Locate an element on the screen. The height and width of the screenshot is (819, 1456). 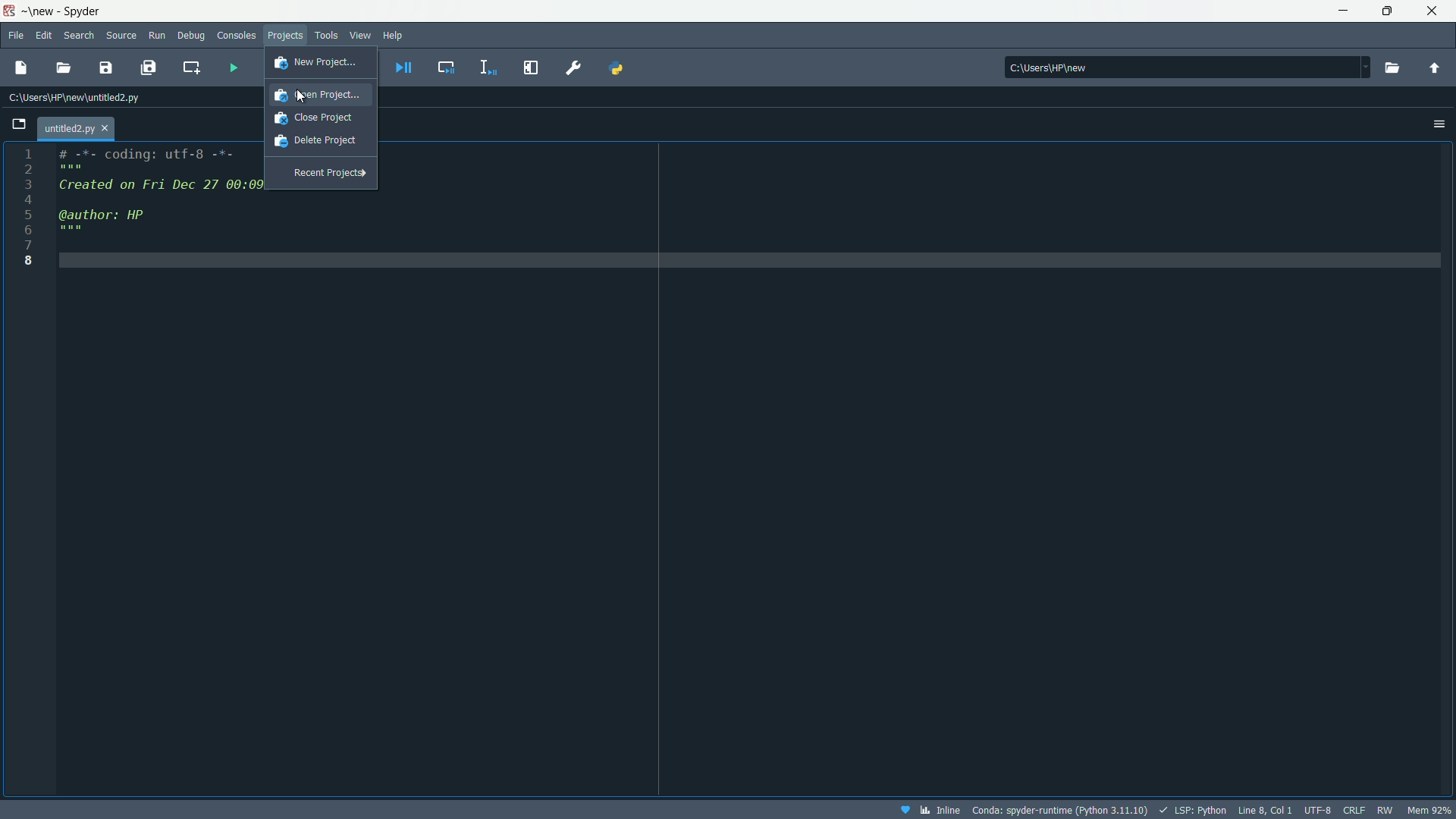
Run file (F5) is located at coordinates (232, 65).